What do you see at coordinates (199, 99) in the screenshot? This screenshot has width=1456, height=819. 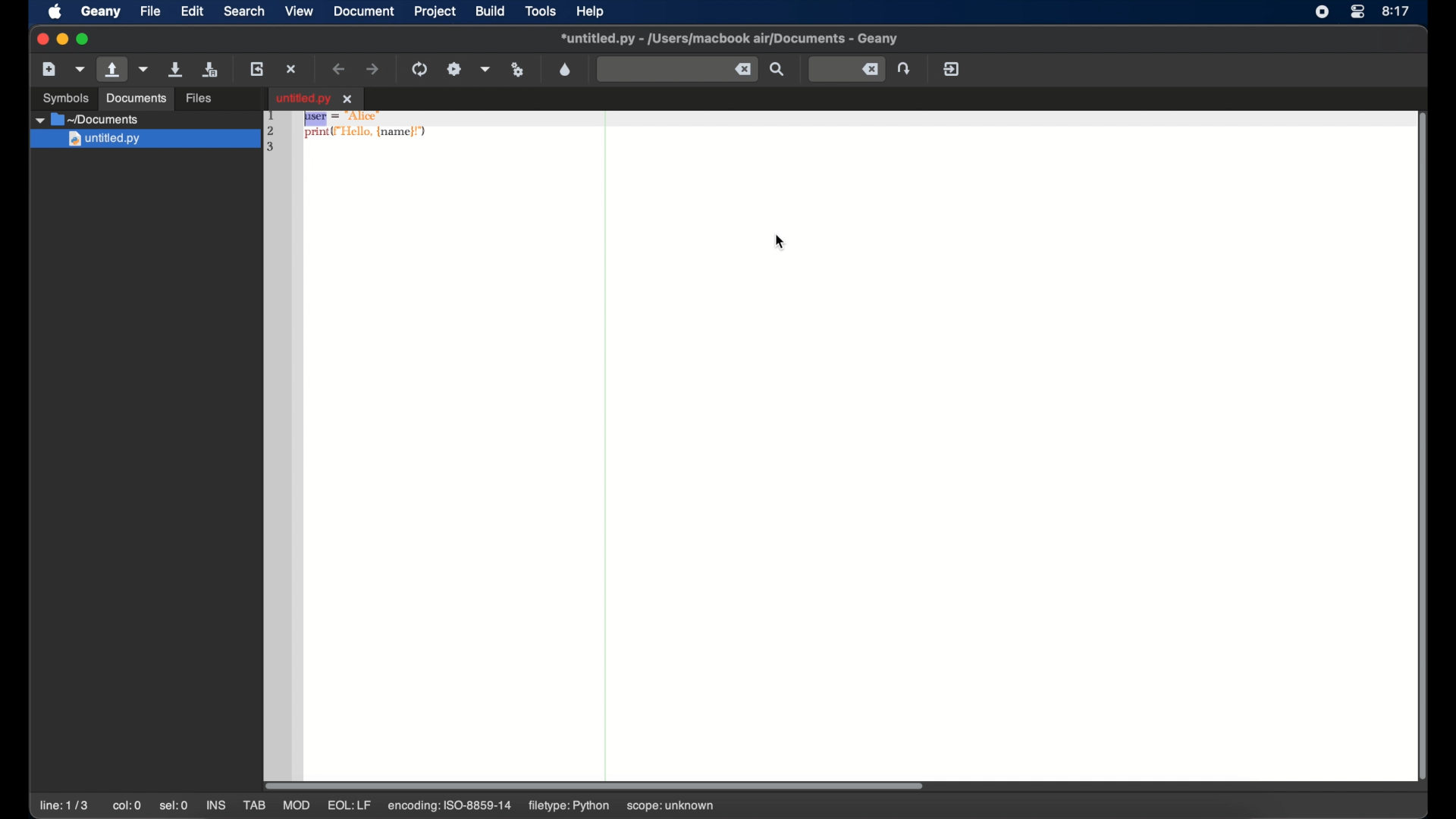 I see `files` at bounding box center [199, 99].